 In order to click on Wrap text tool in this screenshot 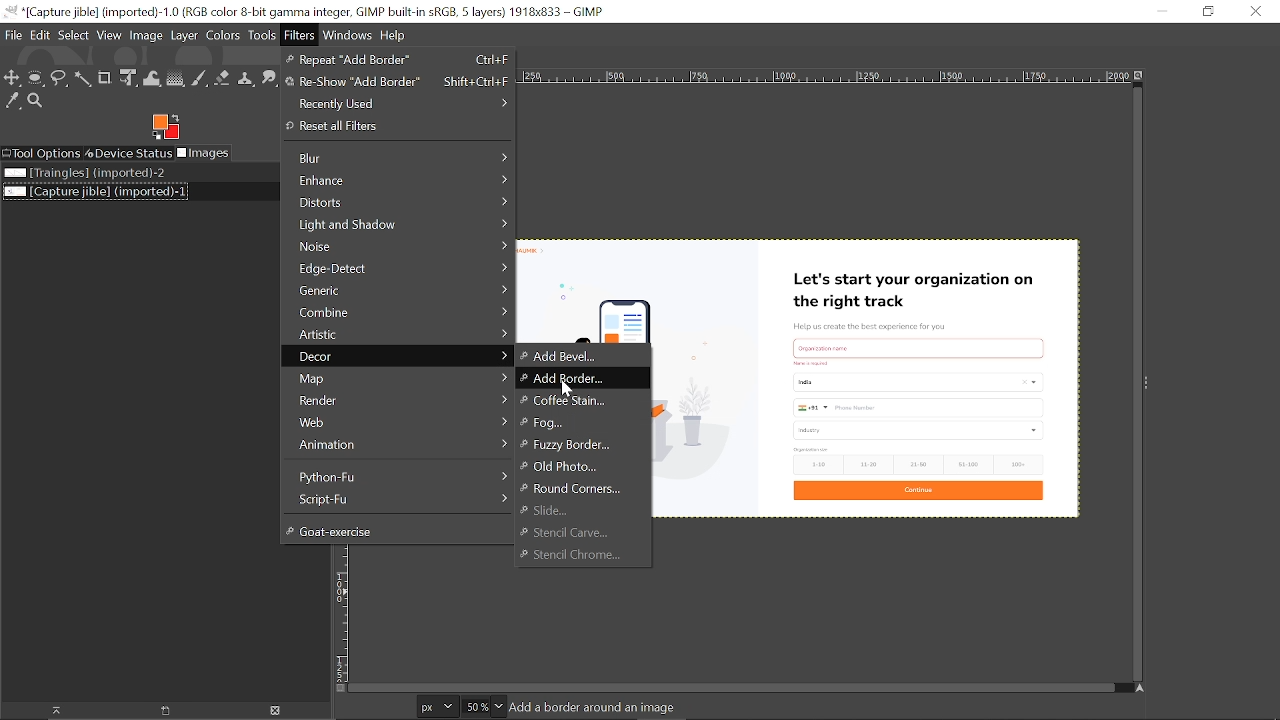, I will do `click(152, 78)`.